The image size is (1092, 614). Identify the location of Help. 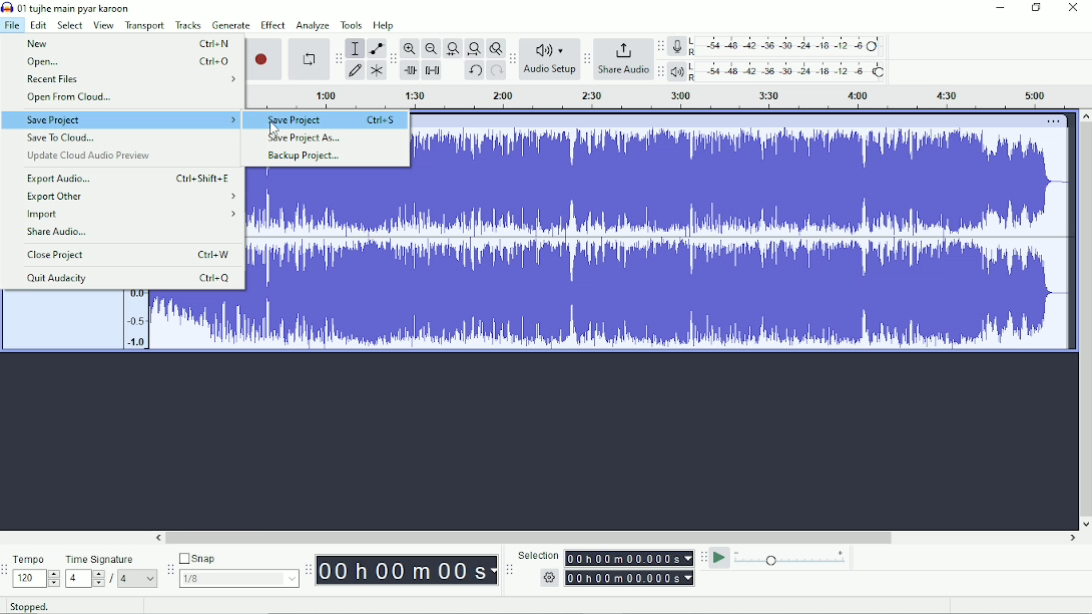
(385, 24).